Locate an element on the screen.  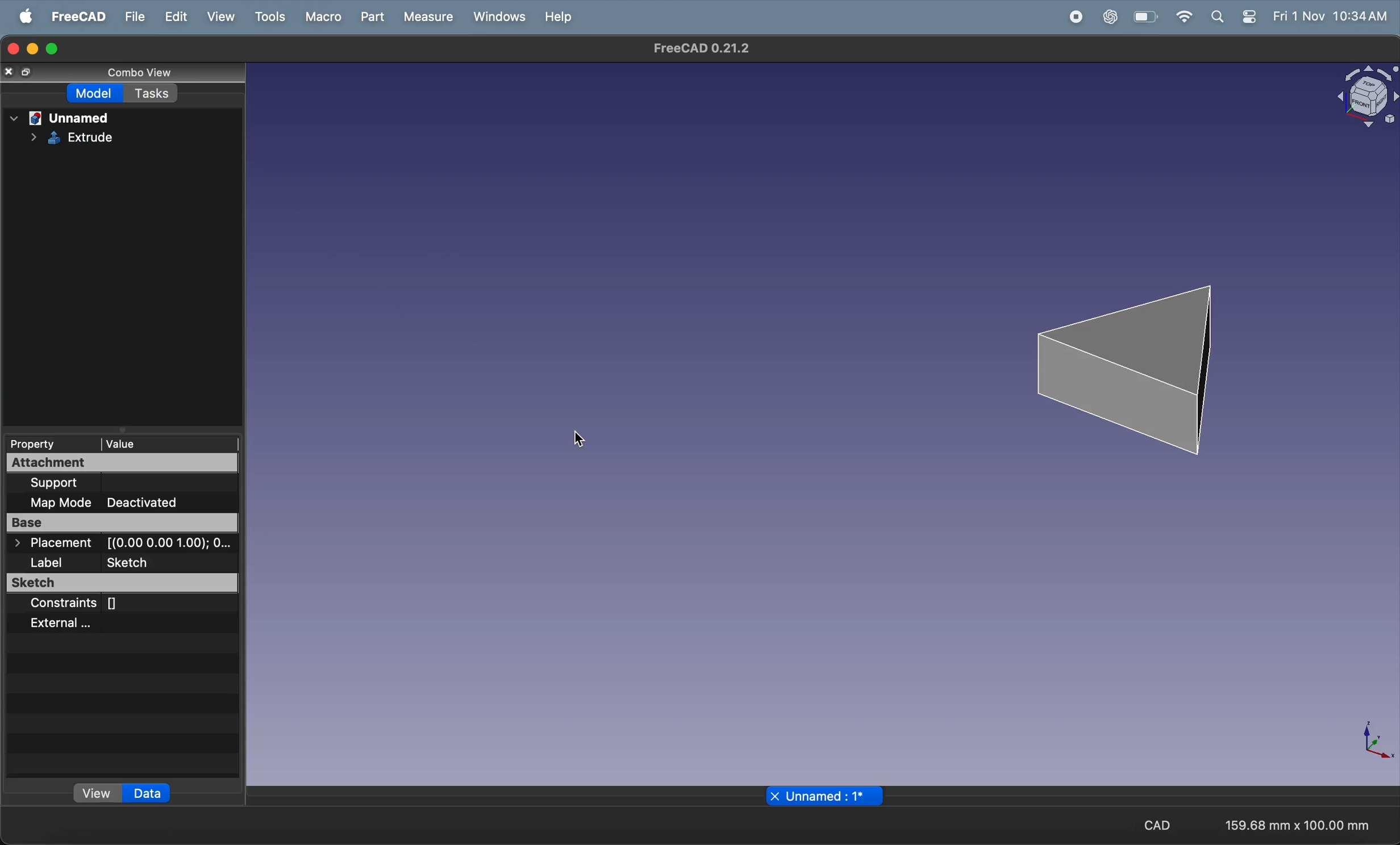
label sketch is located at coordinates (124, 564).